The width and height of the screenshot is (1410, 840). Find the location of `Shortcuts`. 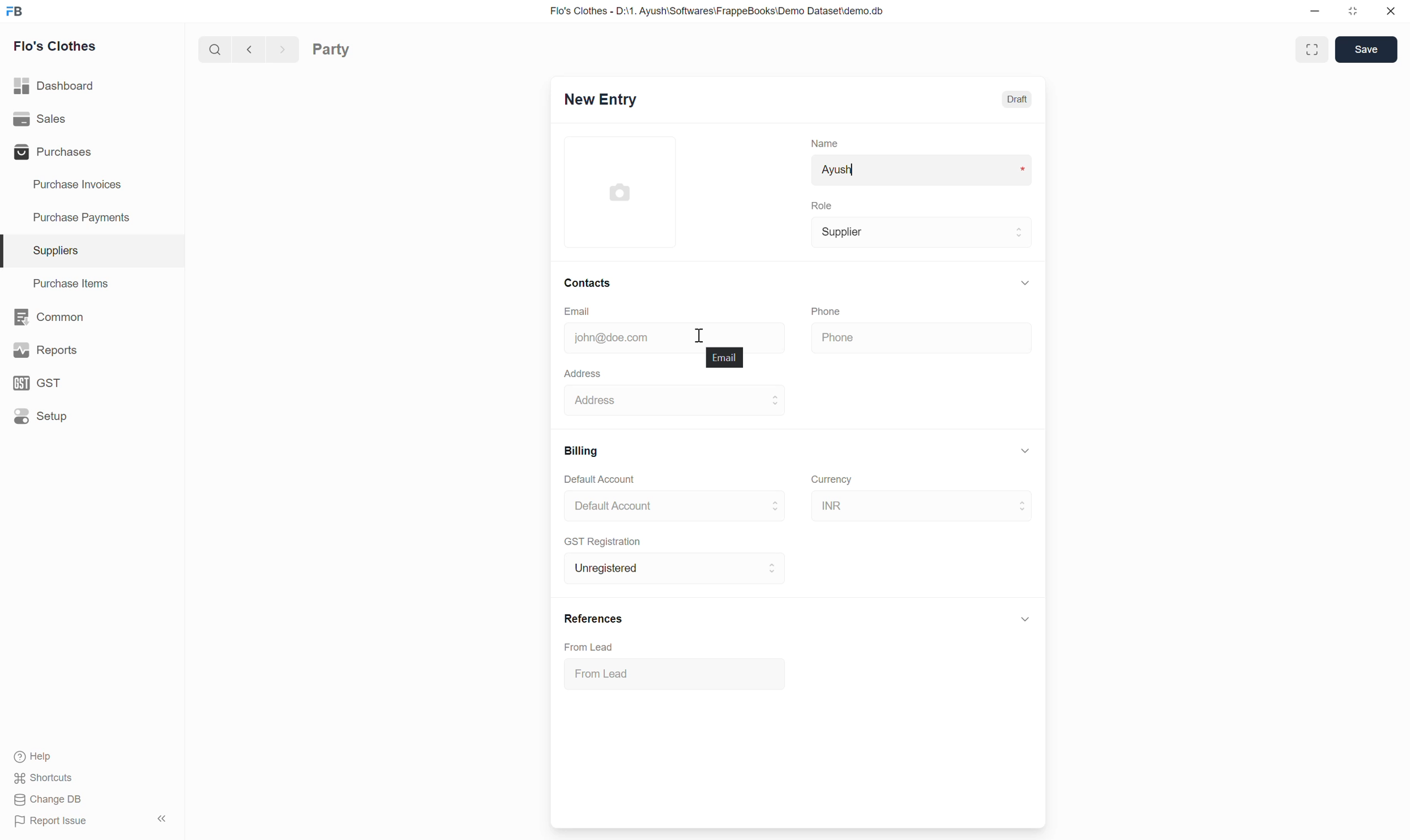

Shortcuts is located at coordinates (44, 778).